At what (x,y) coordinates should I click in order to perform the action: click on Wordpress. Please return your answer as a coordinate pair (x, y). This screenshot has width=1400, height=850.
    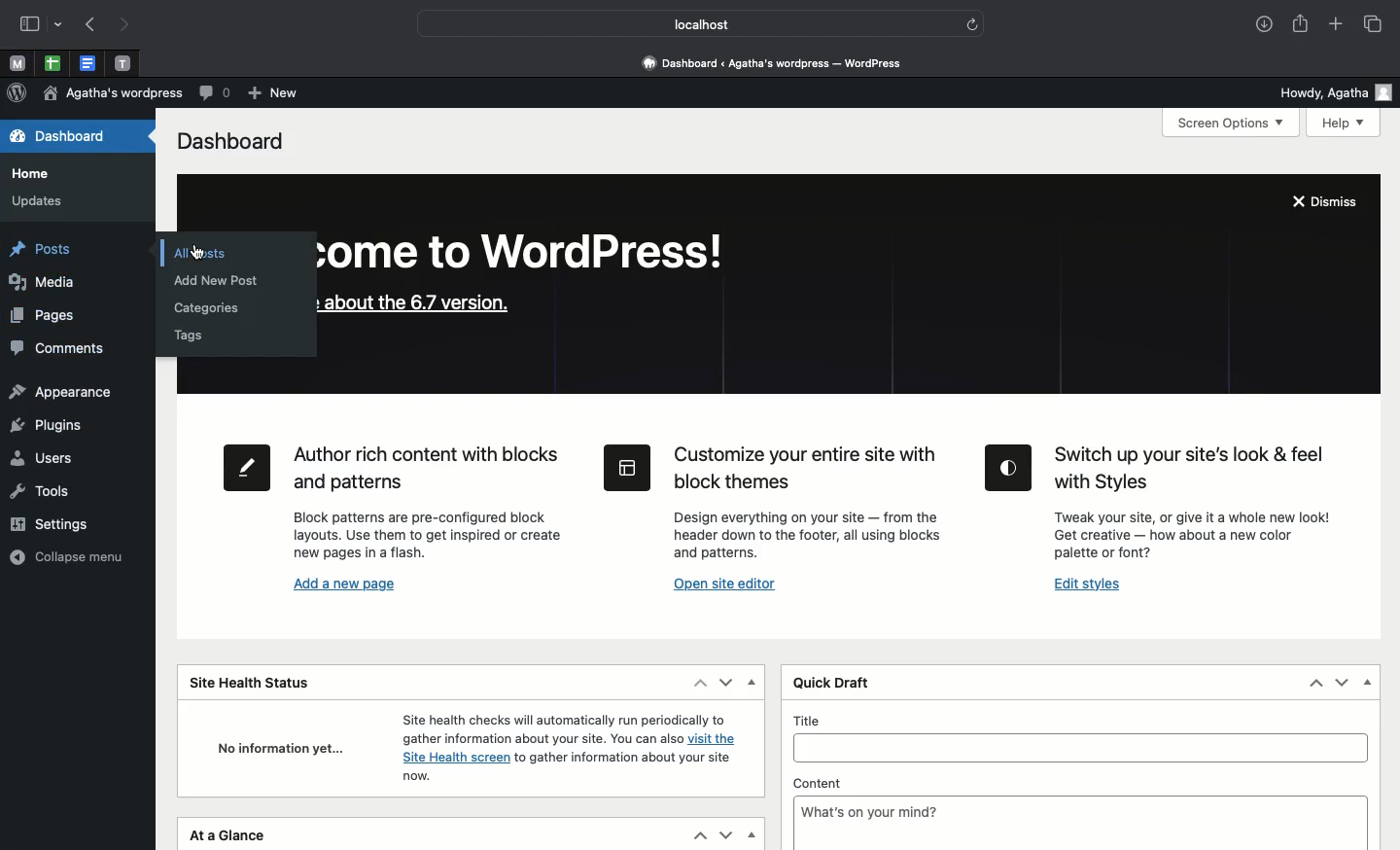
    Looking at the image, I should click on (17, 93).